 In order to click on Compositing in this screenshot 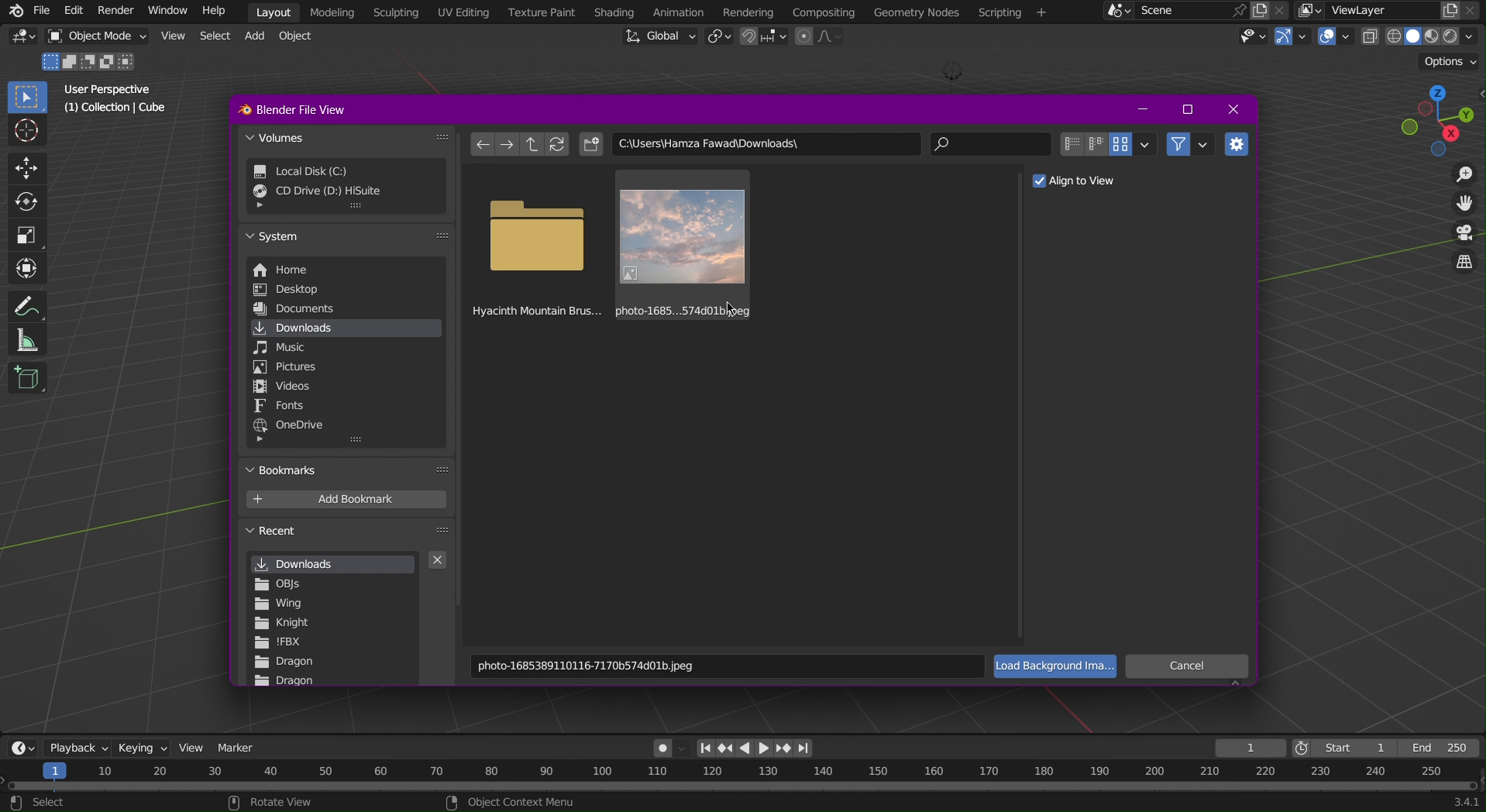, I will do `click(822, 11)`.